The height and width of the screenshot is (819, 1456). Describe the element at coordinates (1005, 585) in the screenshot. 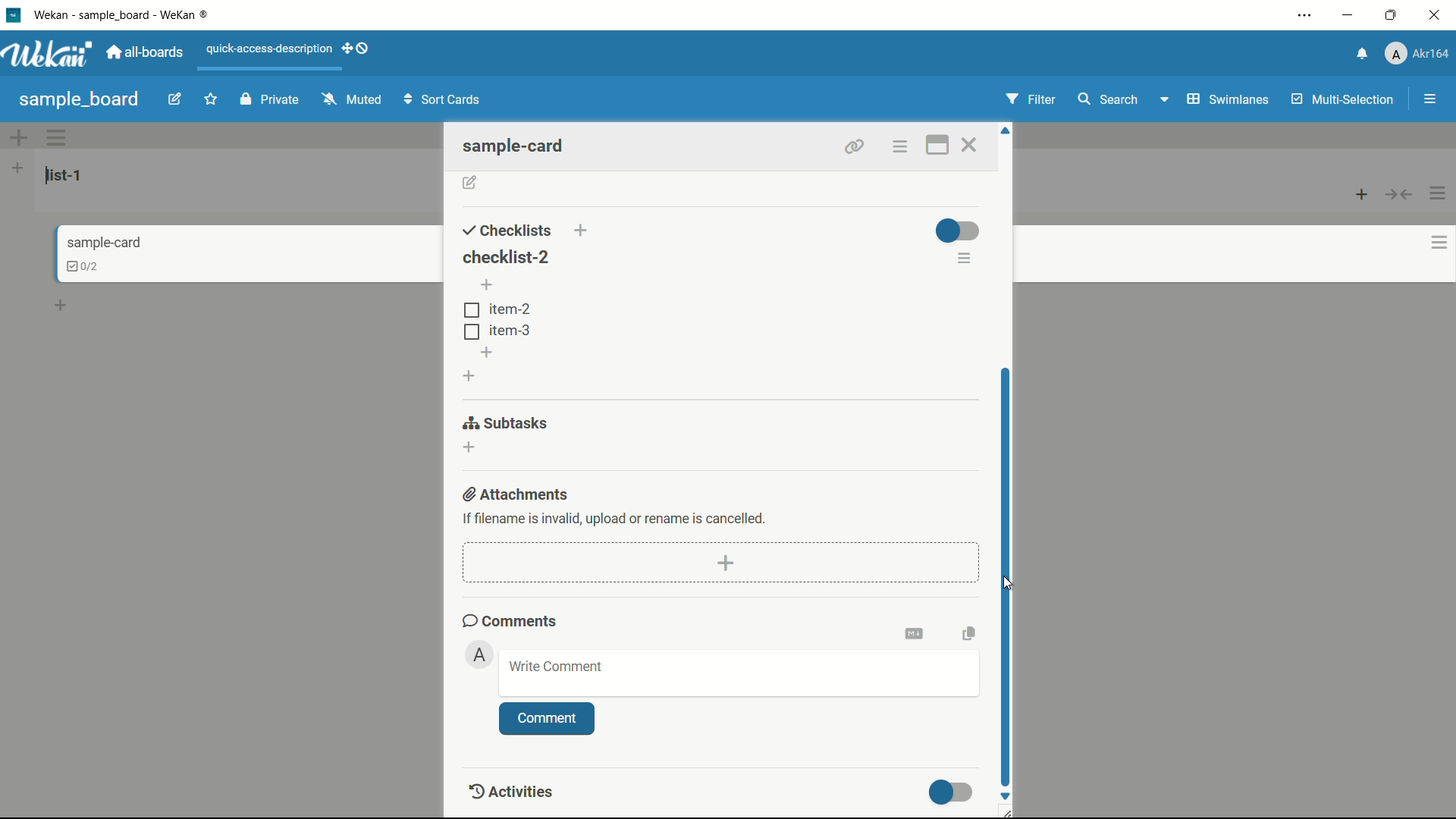

I see `cursor` at that location.